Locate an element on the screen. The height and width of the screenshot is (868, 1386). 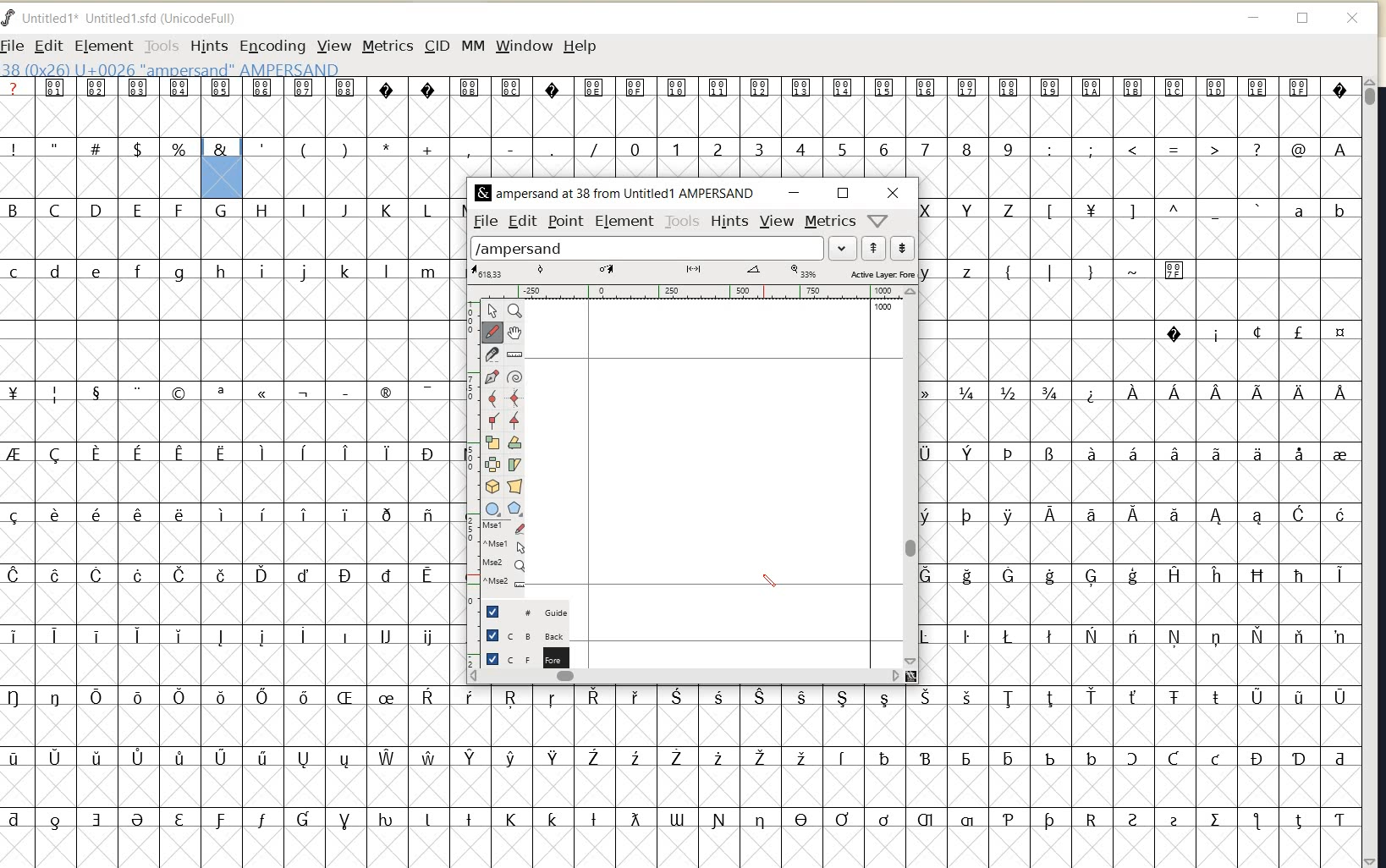
SCALE is located at coordinates (470, 449).